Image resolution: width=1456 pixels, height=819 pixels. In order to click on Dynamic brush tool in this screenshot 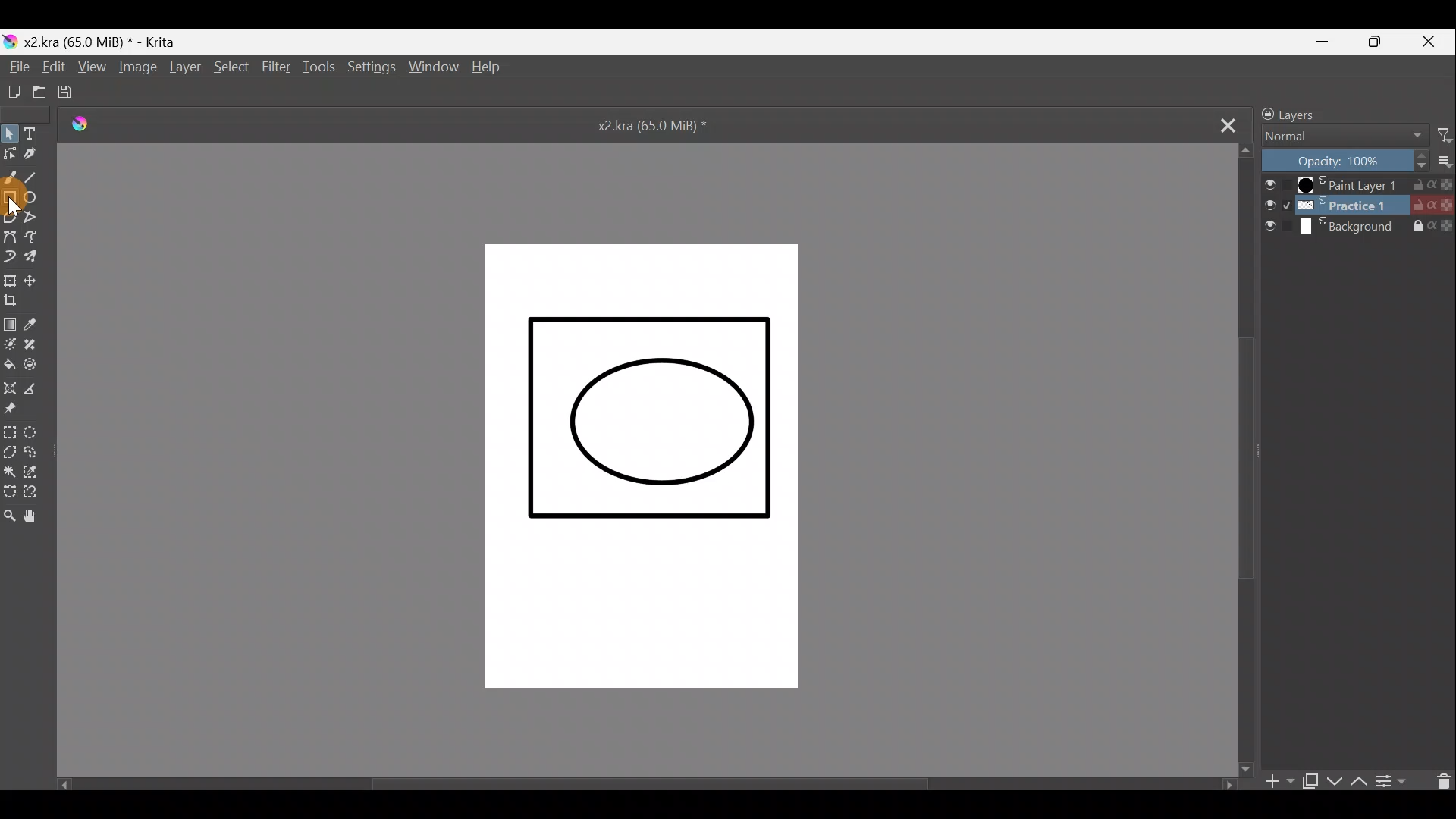, I will do `click(10, 257)`.